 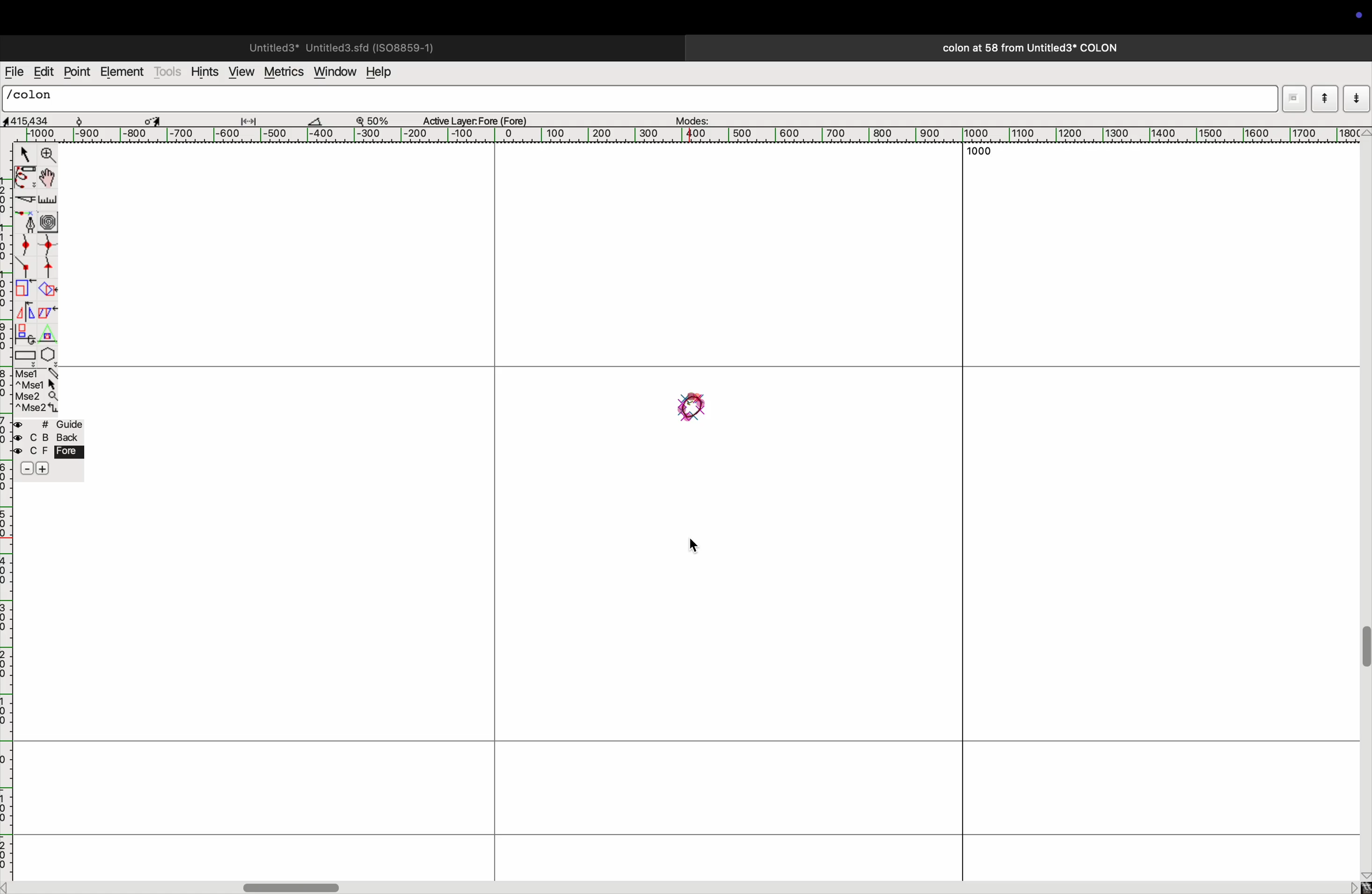 What do you see at coordinates (205, 70) in the screenshot?
I see `hints` at bounding box center [205, 70].